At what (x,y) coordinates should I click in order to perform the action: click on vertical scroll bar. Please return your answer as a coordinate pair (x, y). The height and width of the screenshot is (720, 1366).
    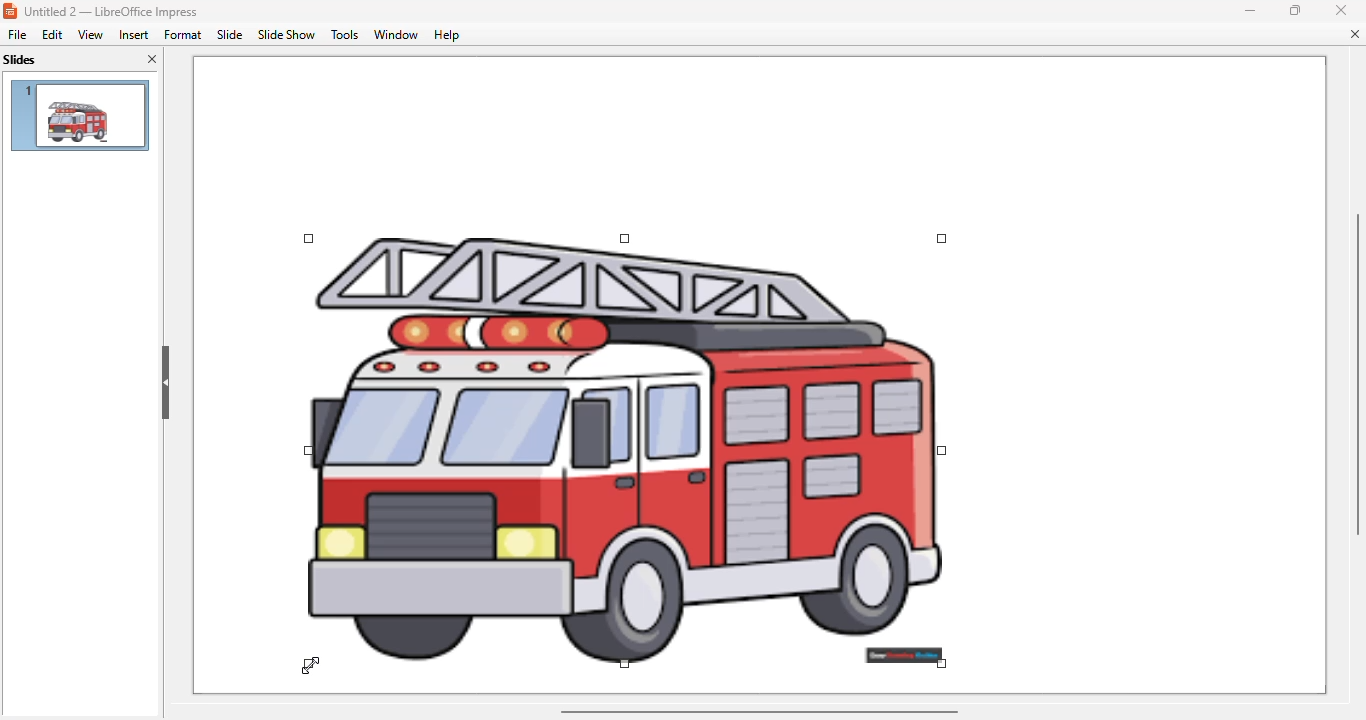
    Looking at the image, I should click on (1355, 375).